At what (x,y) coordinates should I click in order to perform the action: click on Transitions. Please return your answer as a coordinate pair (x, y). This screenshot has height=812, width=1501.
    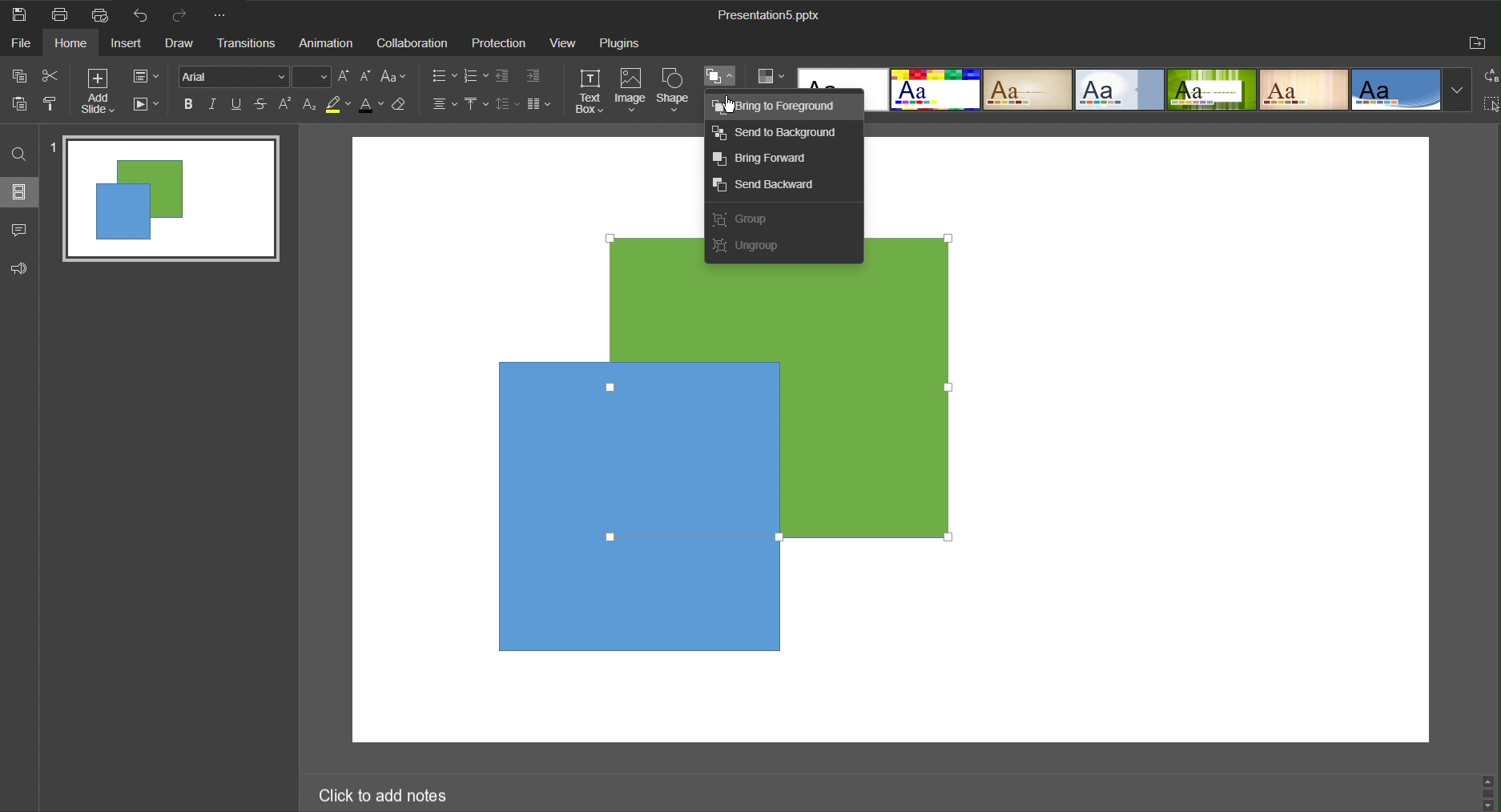
    Looking at the image, I should click on (249, 44).